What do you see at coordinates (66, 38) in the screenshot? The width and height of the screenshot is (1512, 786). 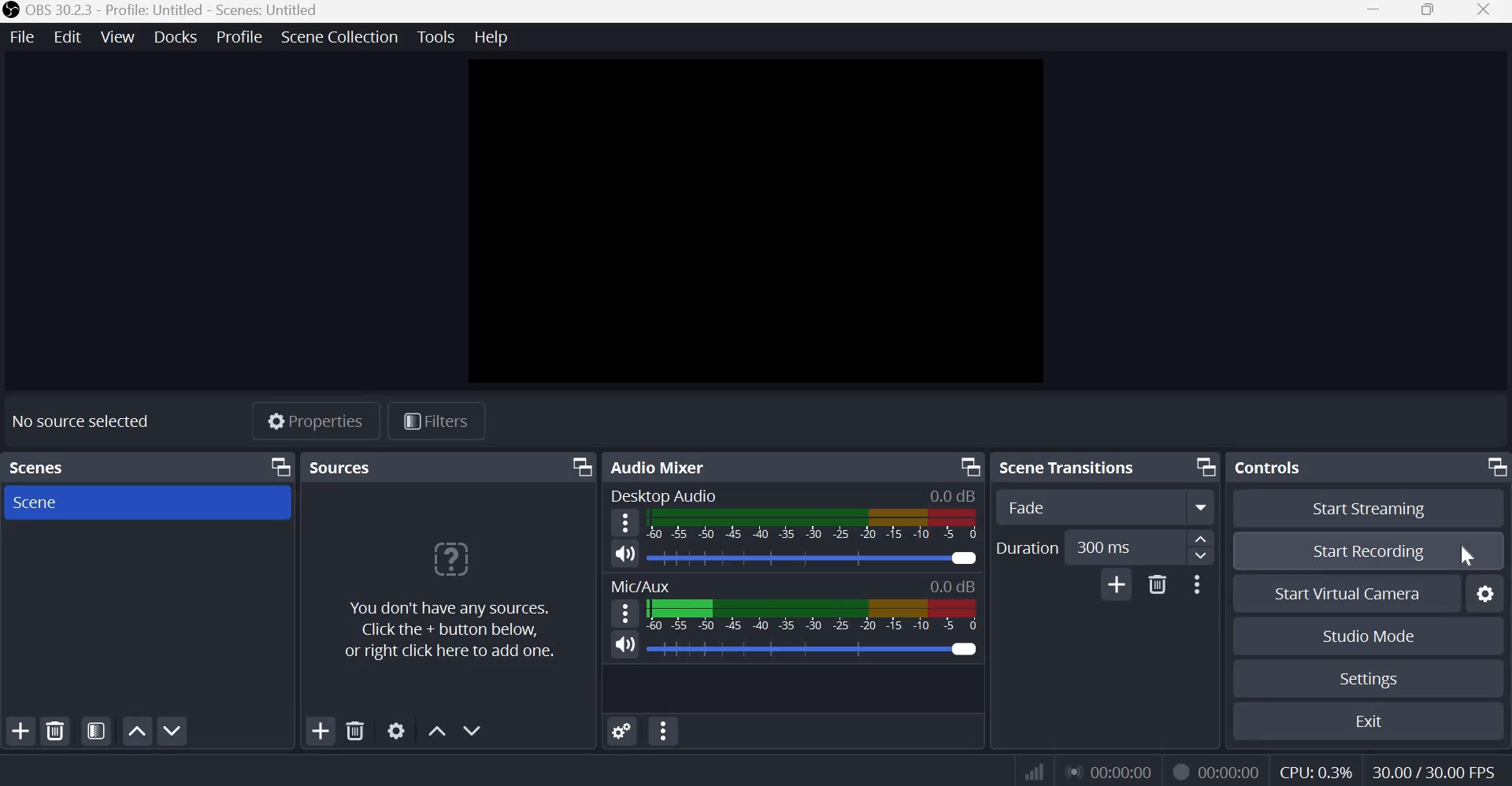 I see `Edit` at bounding box center [66, 38].